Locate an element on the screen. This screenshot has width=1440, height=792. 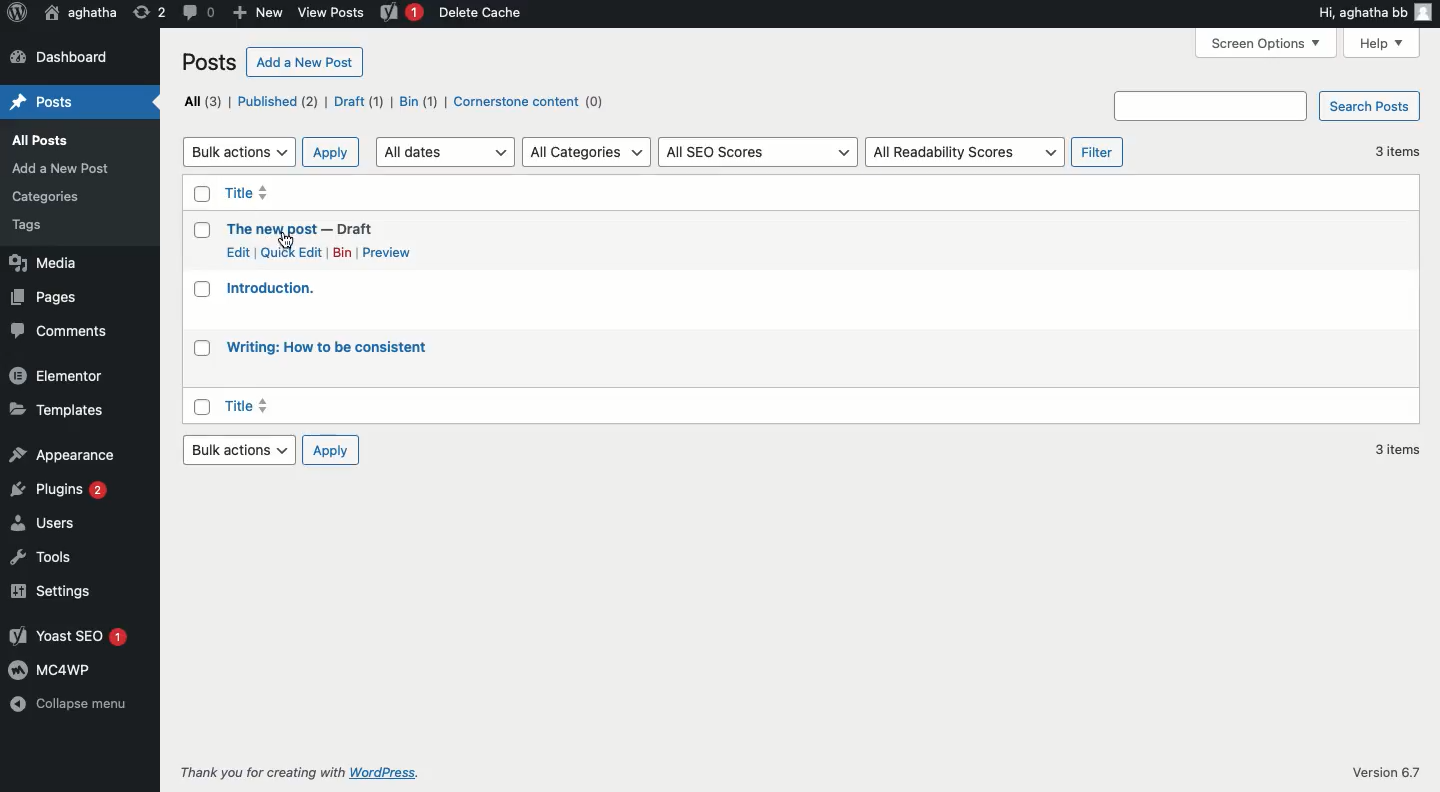
Plugins is located at coordinates (61, 493).